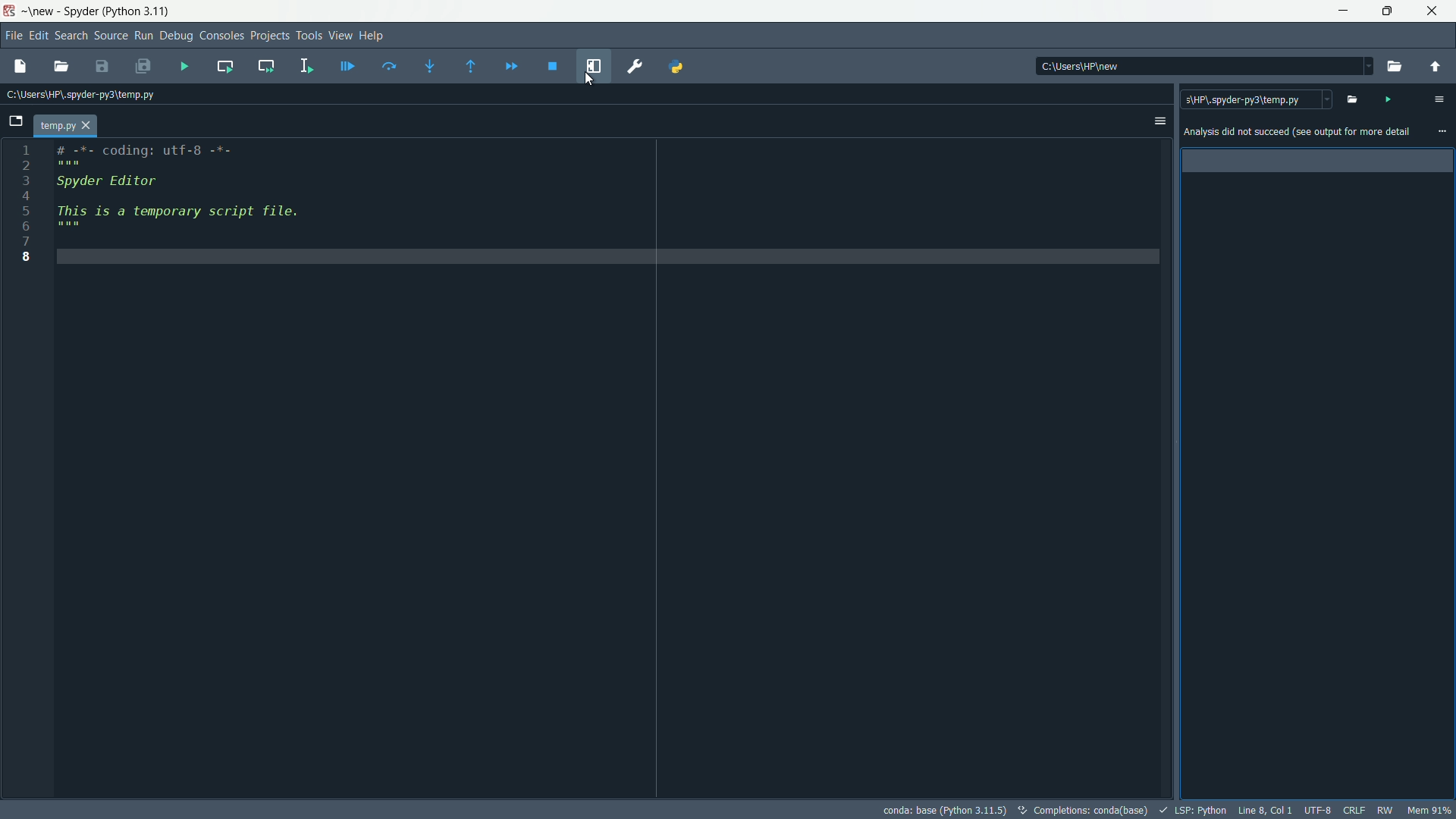 This screenshot has width=1456, height=819. I want to click on run file, so click(184, 68).